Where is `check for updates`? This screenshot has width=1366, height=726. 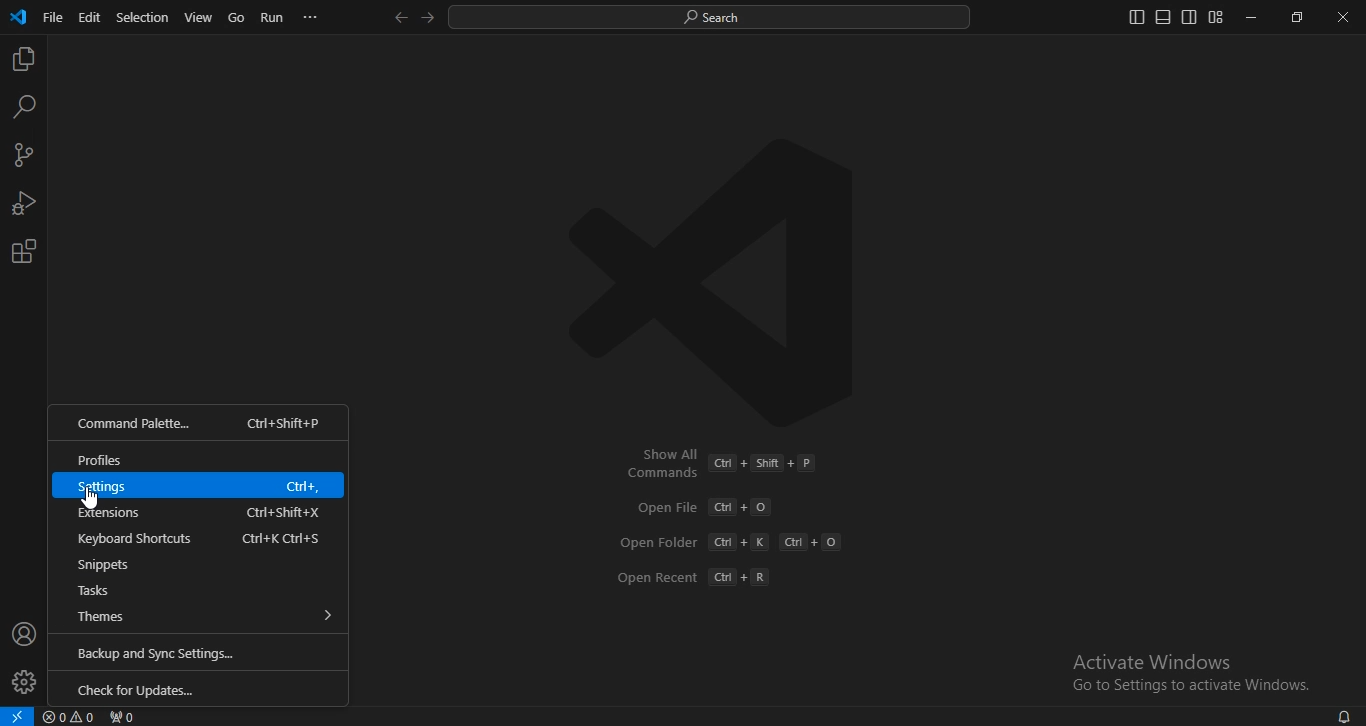 check for updates is located at coordinates (197, 691).